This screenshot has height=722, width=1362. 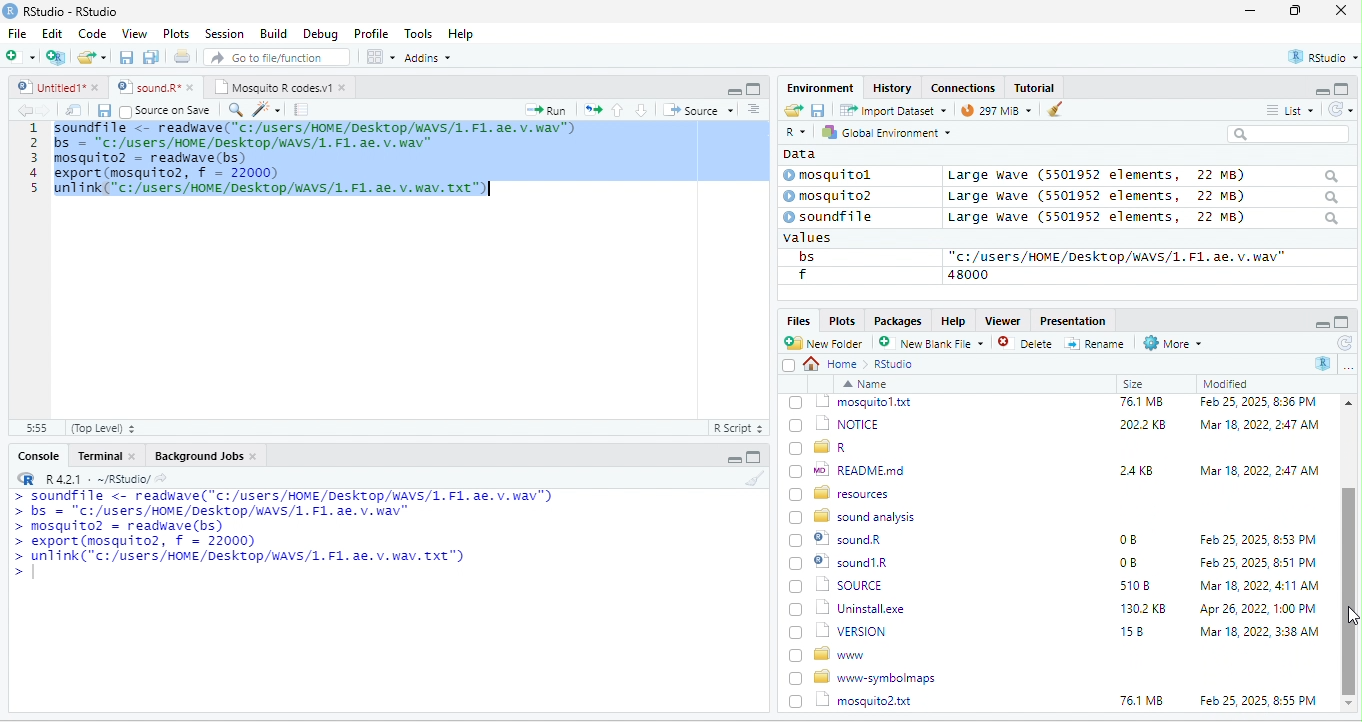 What do you see at coordinates (94, 57) in the screenshot?
I see `folder` at bounding box center [94, 57].